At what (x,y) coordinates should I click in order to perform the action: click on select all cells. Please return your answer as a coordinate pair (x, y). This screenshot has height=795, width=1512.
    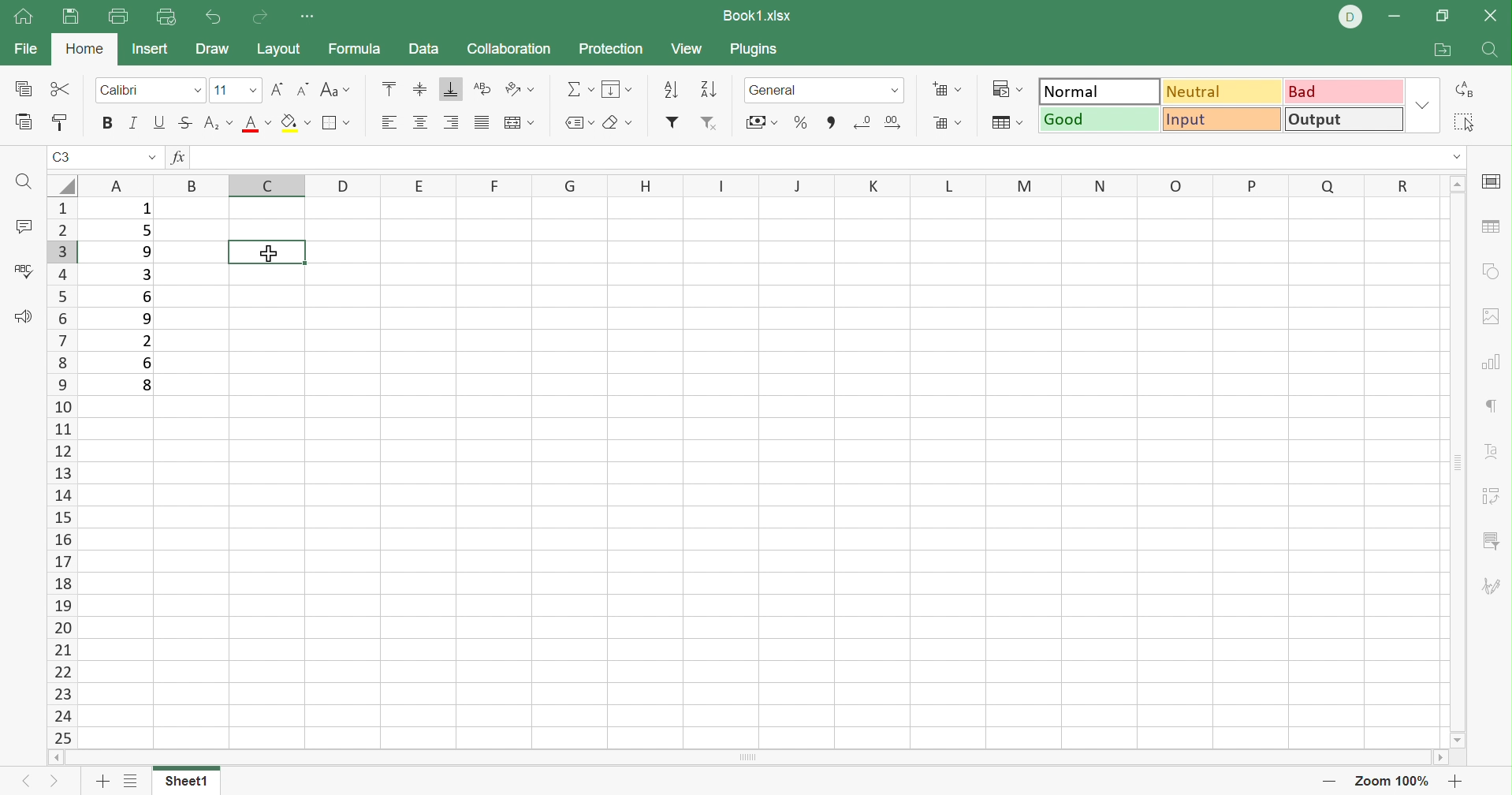
    Looking at the image, I should click on (58, 185).